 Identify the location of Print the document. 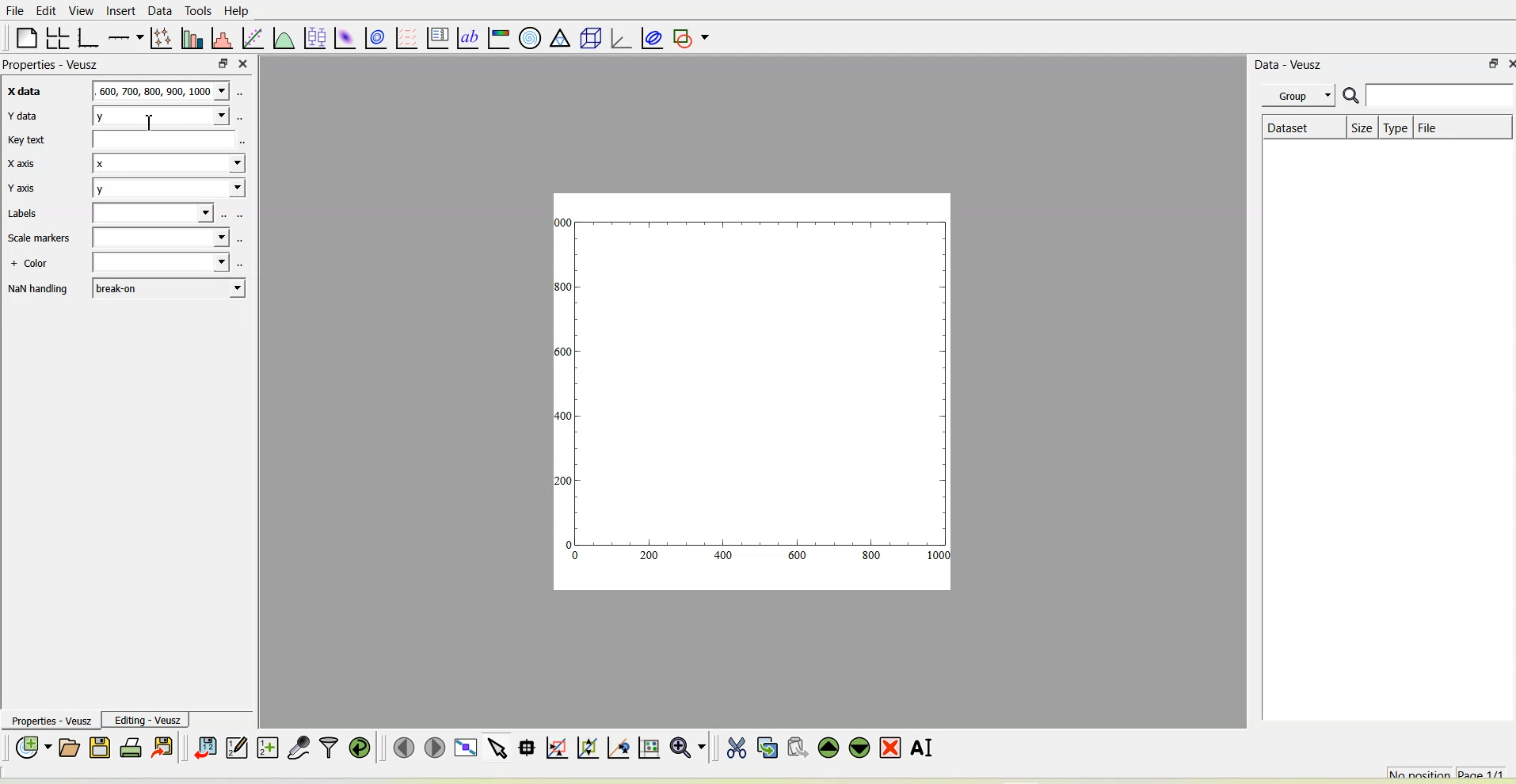
(131, 747).